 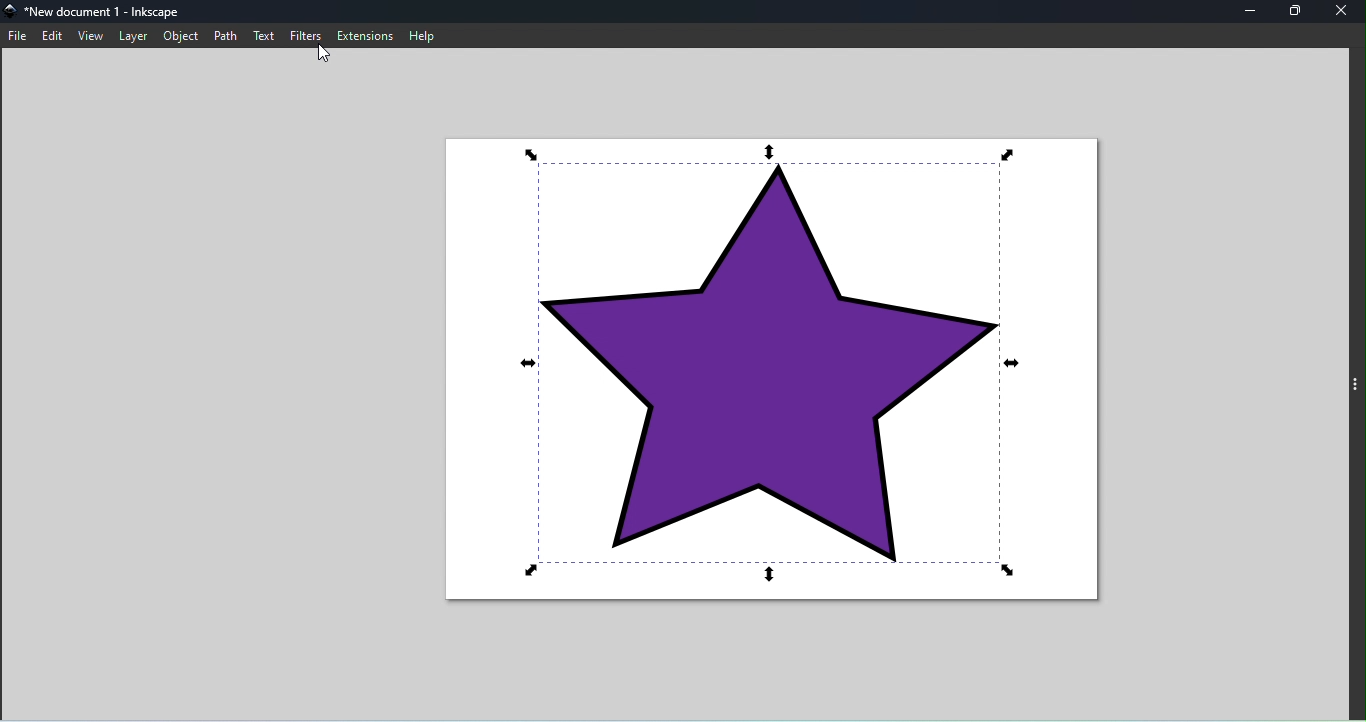 I want to click on toggle command panel, so click(x=1357, y=388).